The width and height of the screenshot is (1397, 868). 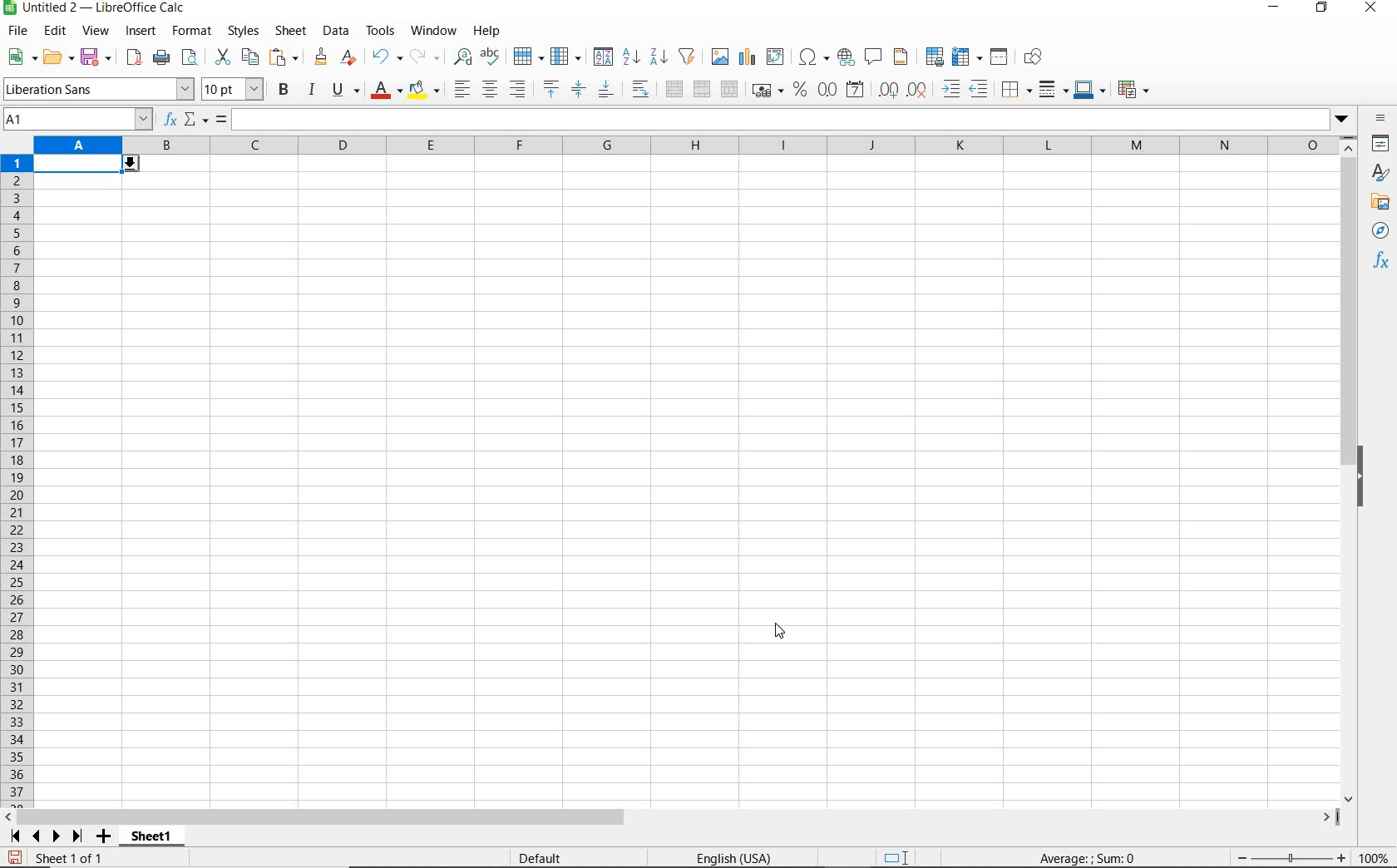 What do you see at coordinates (222, 57) in the screenshot?
I see `cut` at bounding box center [222, 57].